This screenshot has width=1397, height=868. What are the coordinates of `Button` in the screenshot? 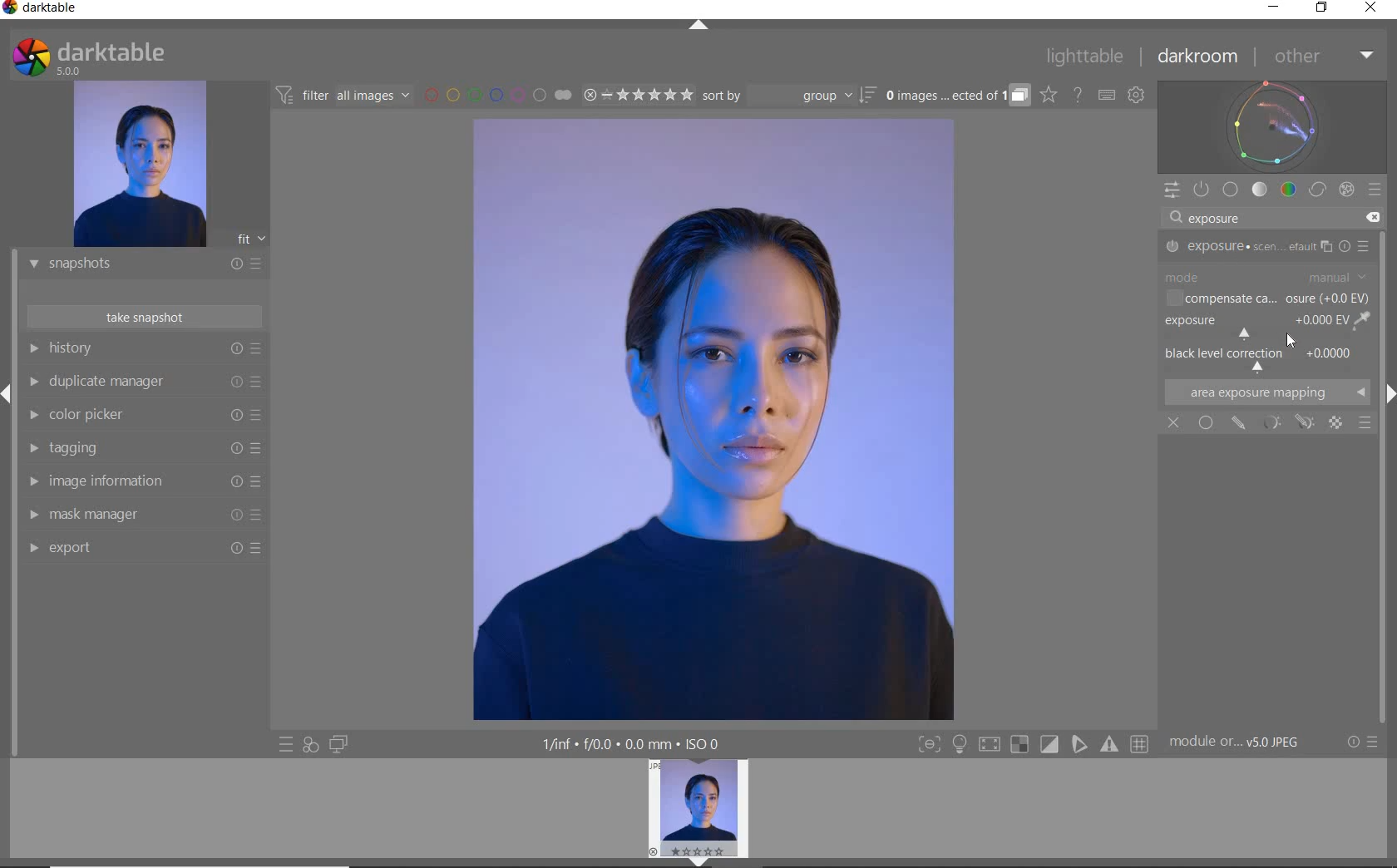 It's located at (1111, 744).